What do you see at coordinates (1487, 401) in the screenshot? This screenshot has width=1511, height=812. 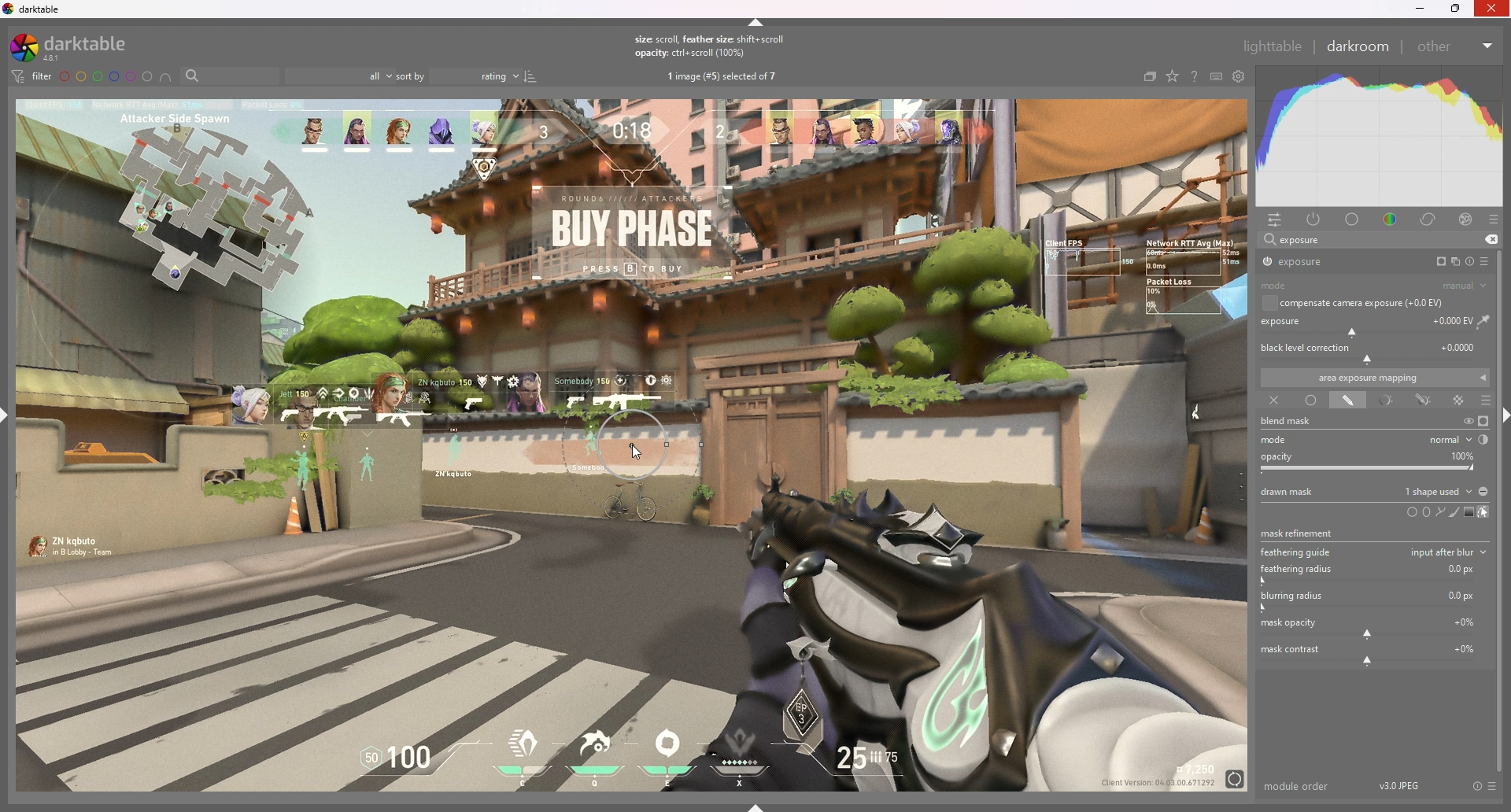 I see `blending options` at bounding box center [1487, 401].